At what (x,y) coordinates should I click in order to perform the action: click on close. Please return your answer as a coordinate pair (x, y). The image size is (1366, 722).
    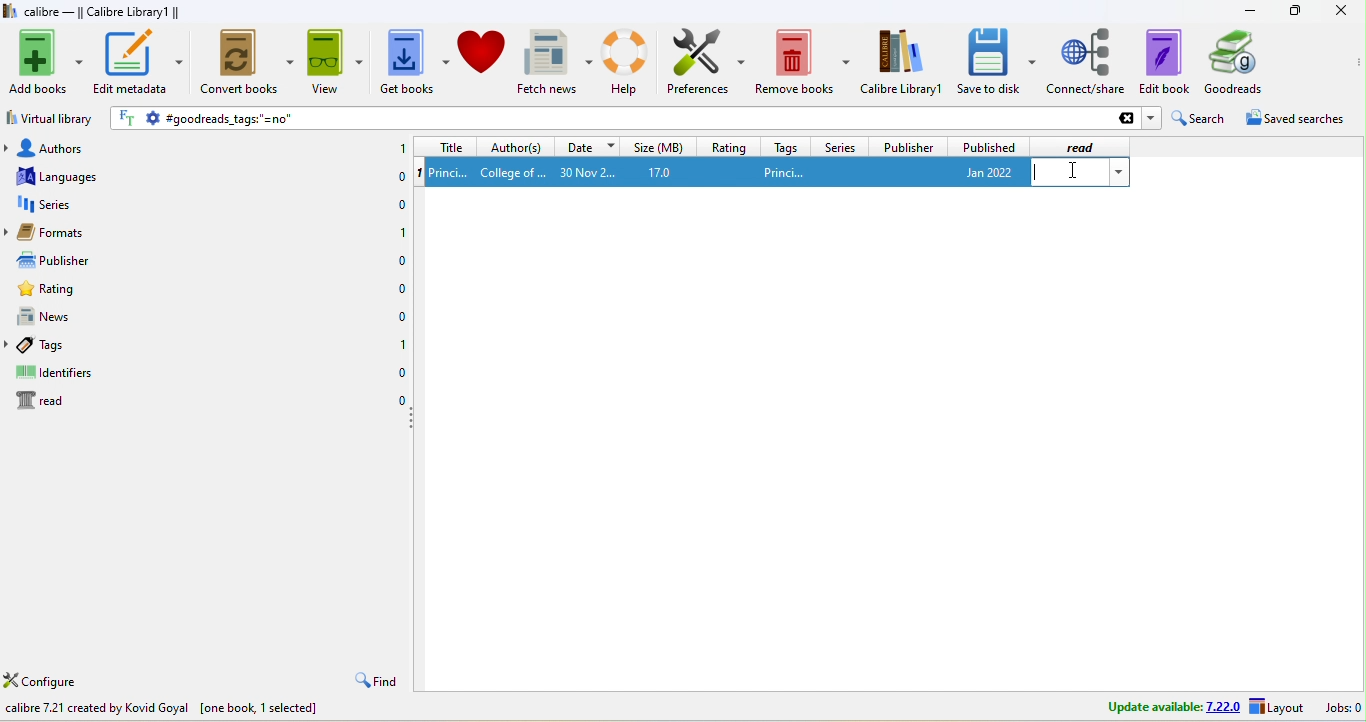
    Looking at the image, I should click on (1339, 11).